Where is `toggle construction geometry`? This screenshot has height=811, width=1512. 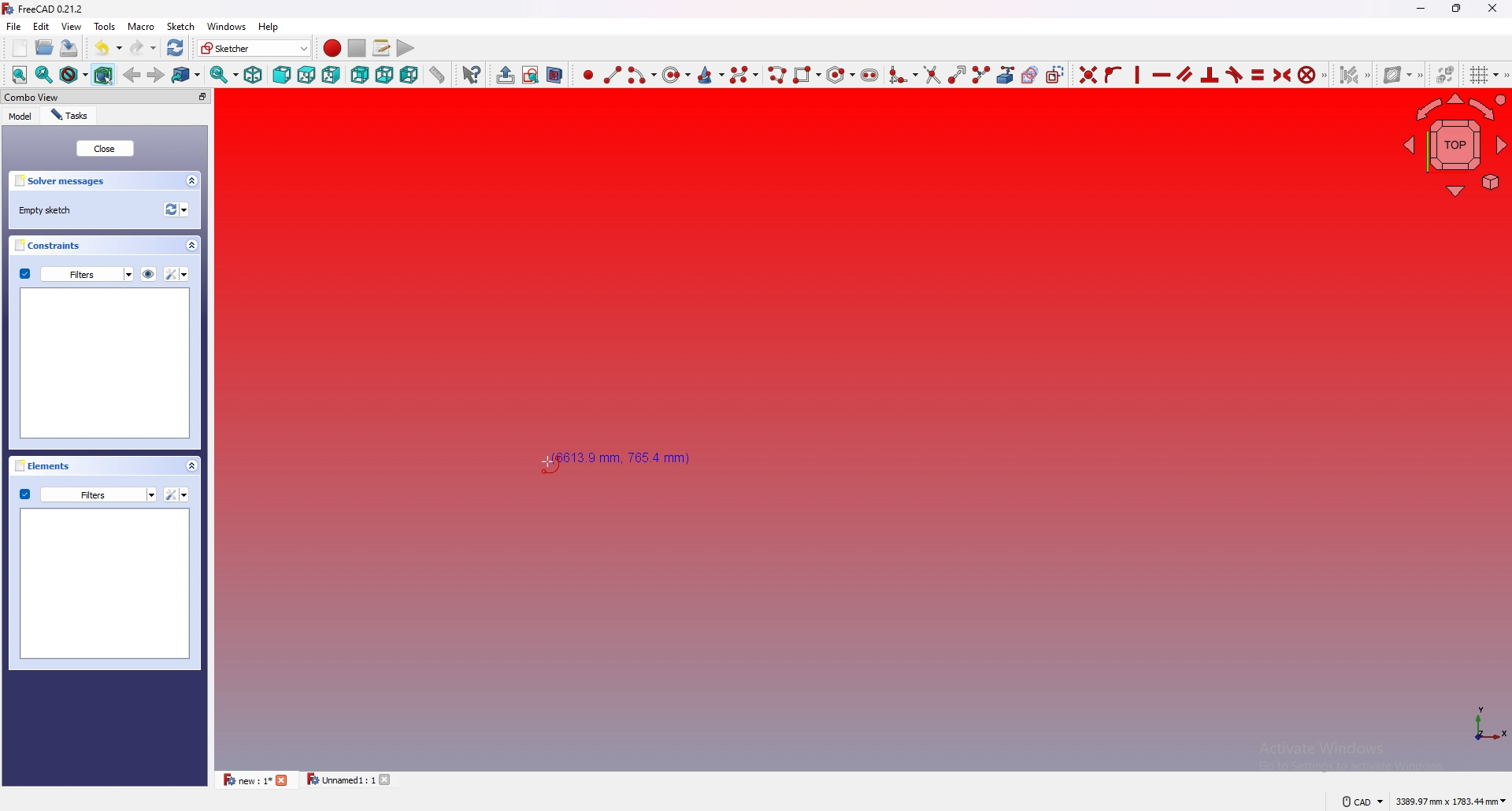
toggle construction geometry is located at coordinates (1054, 73).